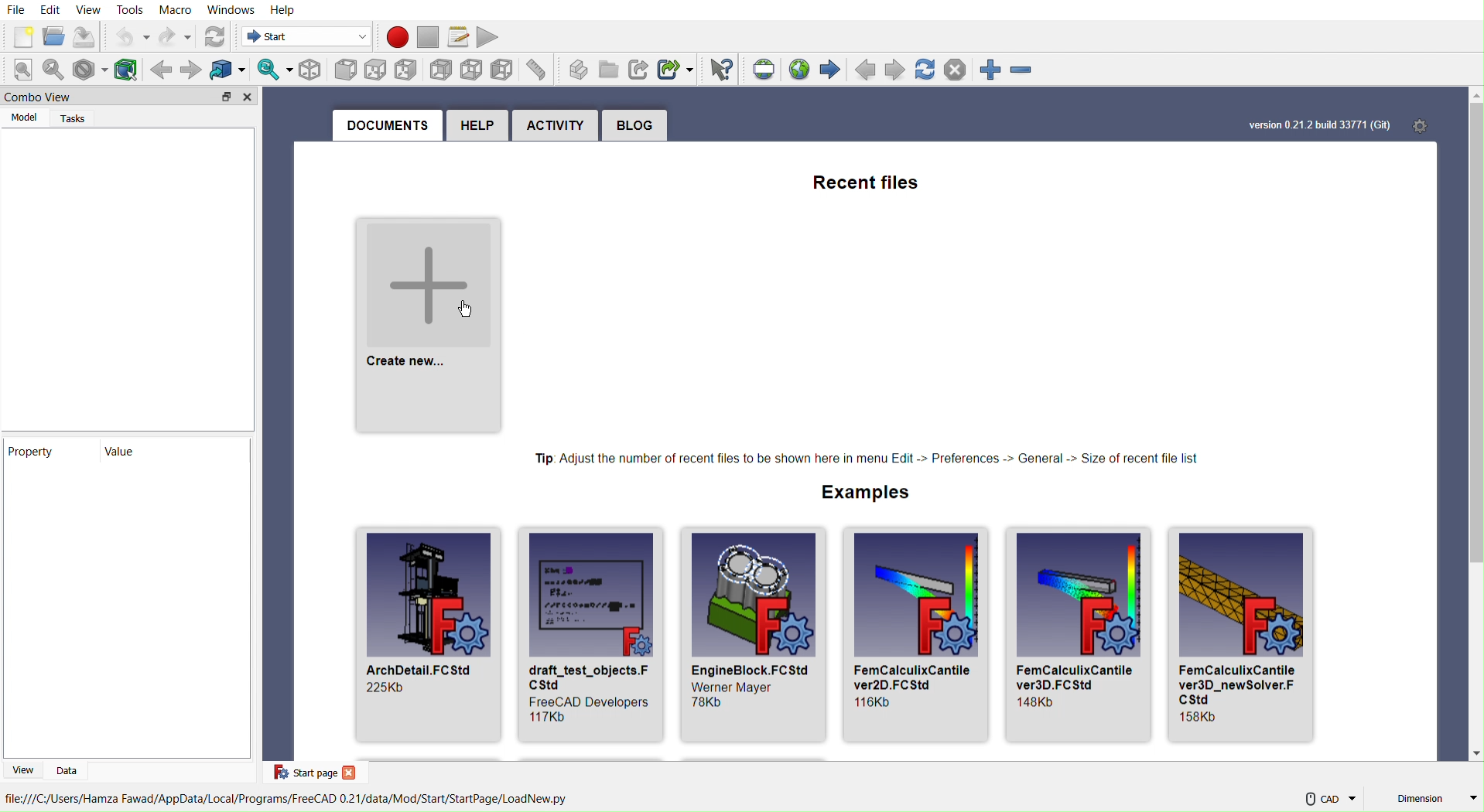 The height and width of the screenshot is (812, 1484). Describe the element at coordinates (345, 69) in the screenshot. I see `Front view` at that location.